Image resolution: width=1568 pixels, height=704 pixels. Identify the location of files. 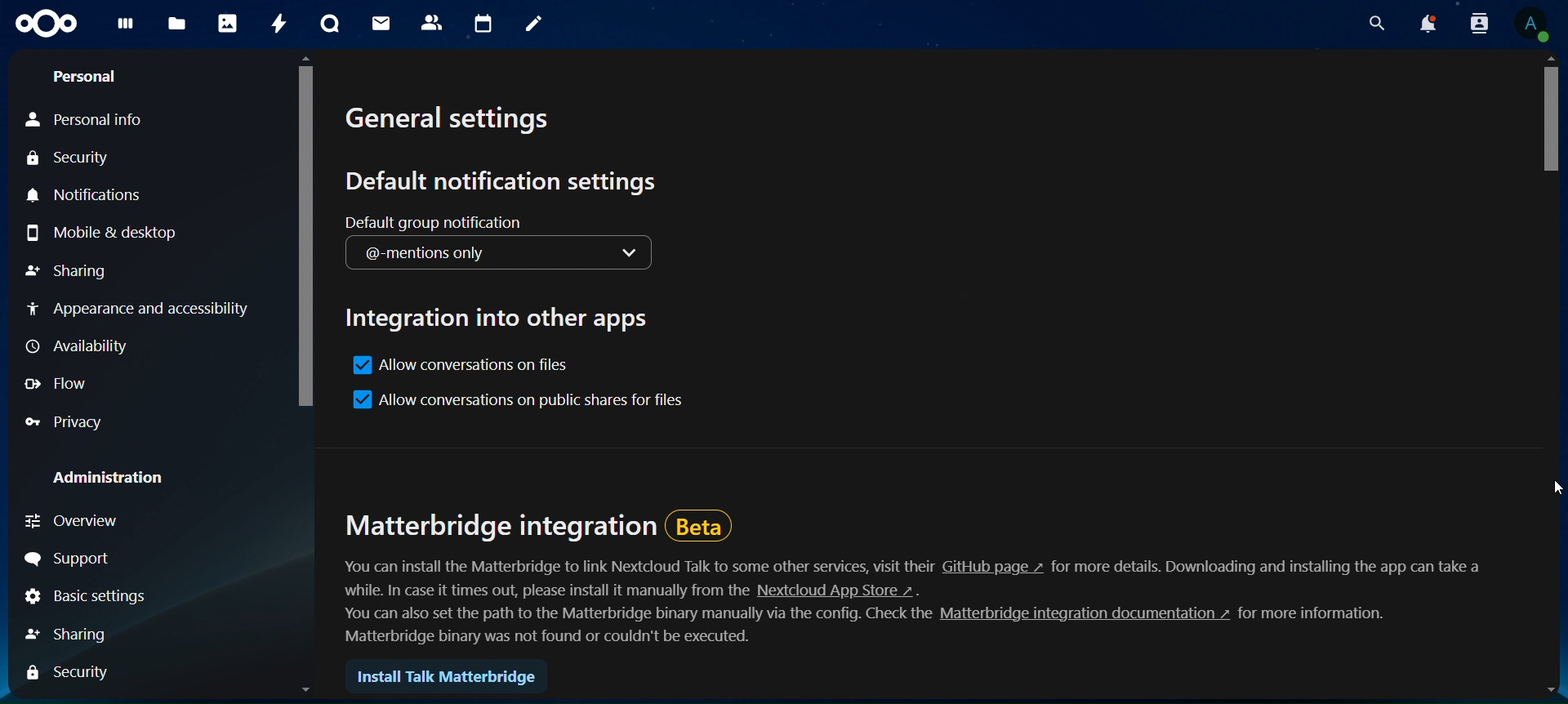
(177, 21).